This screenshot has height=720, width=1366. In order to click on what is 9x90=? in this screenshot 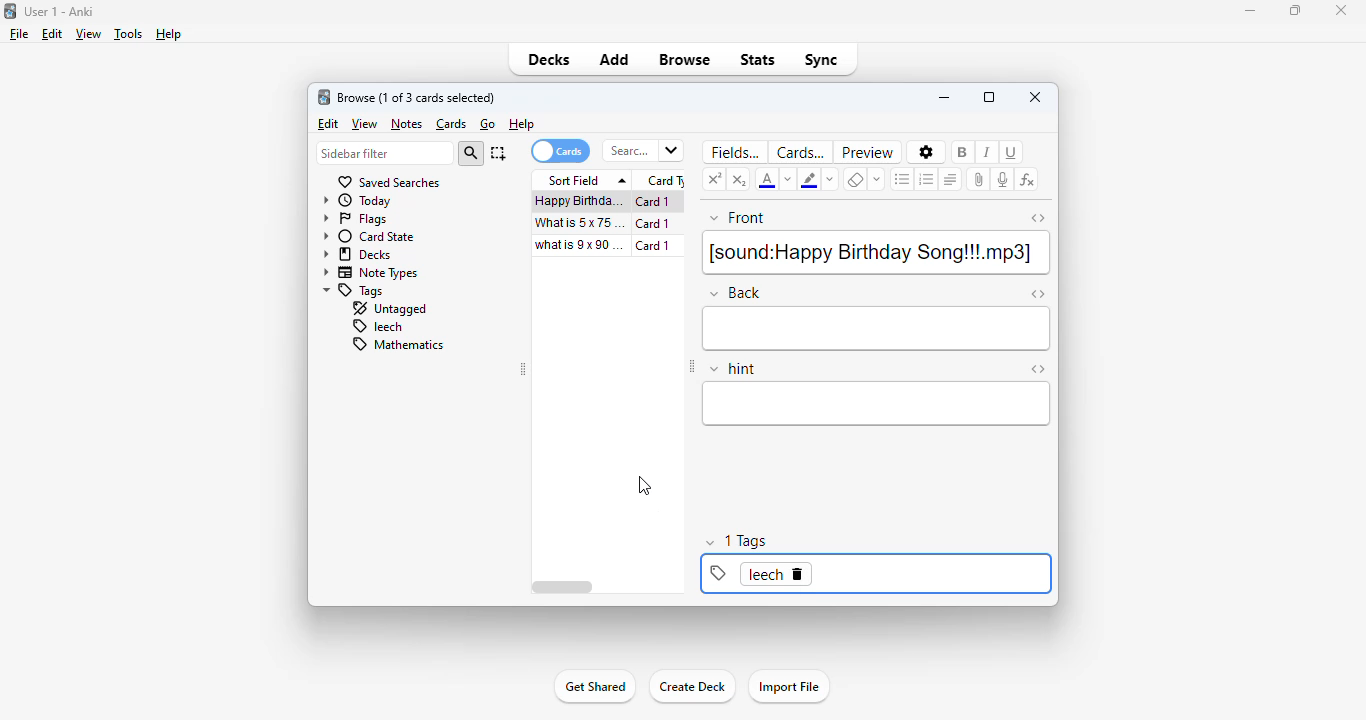, I will do `click(581, 245)`.